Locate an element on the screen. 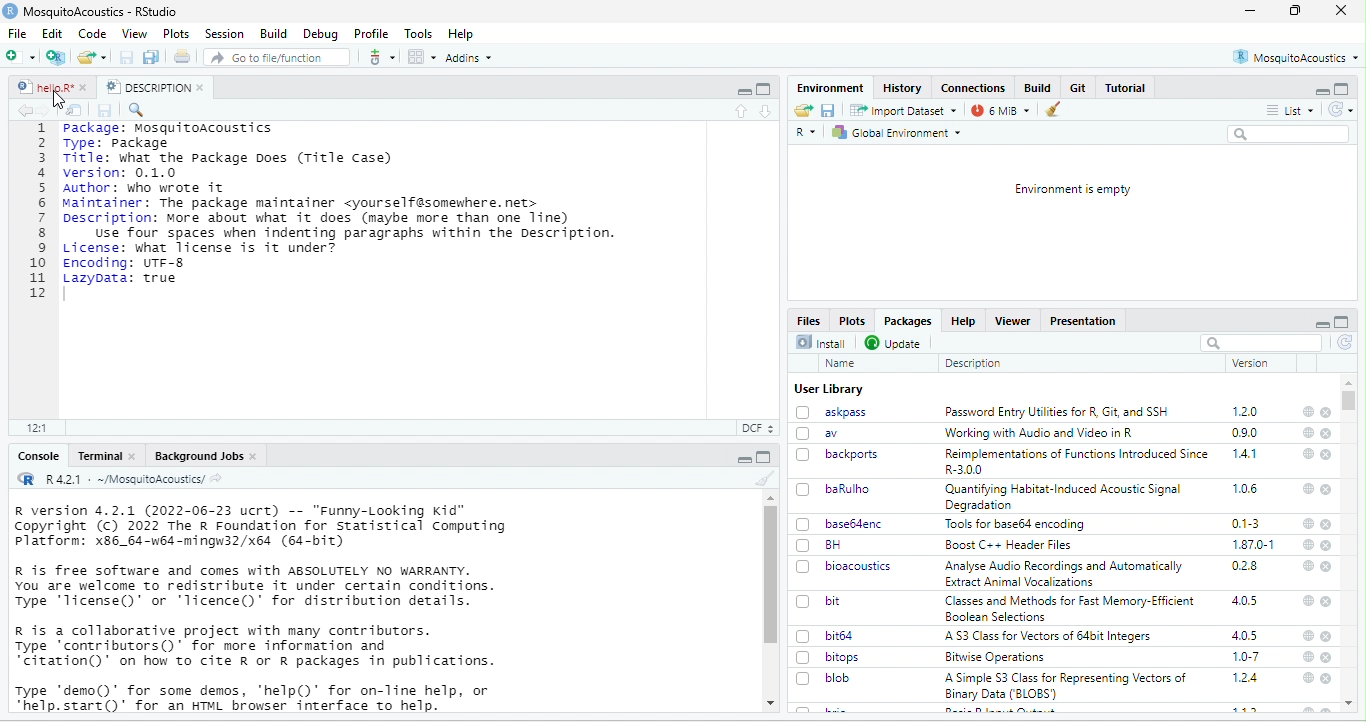 The image size is (1366, 722). Environment is located at coordinates (828, 87).